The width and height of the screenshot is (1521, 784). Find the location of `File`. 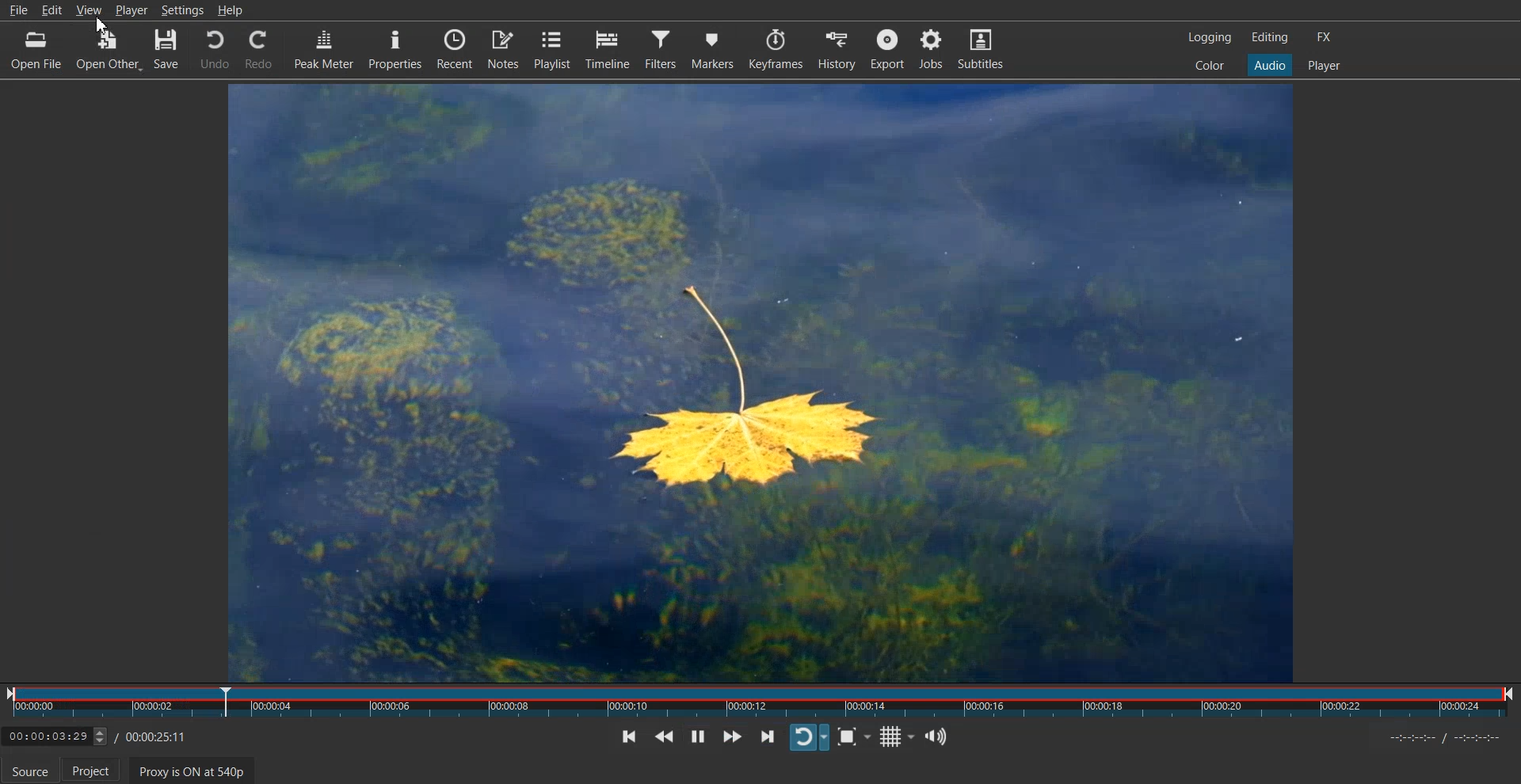

File is located at coordinates (20, 11).